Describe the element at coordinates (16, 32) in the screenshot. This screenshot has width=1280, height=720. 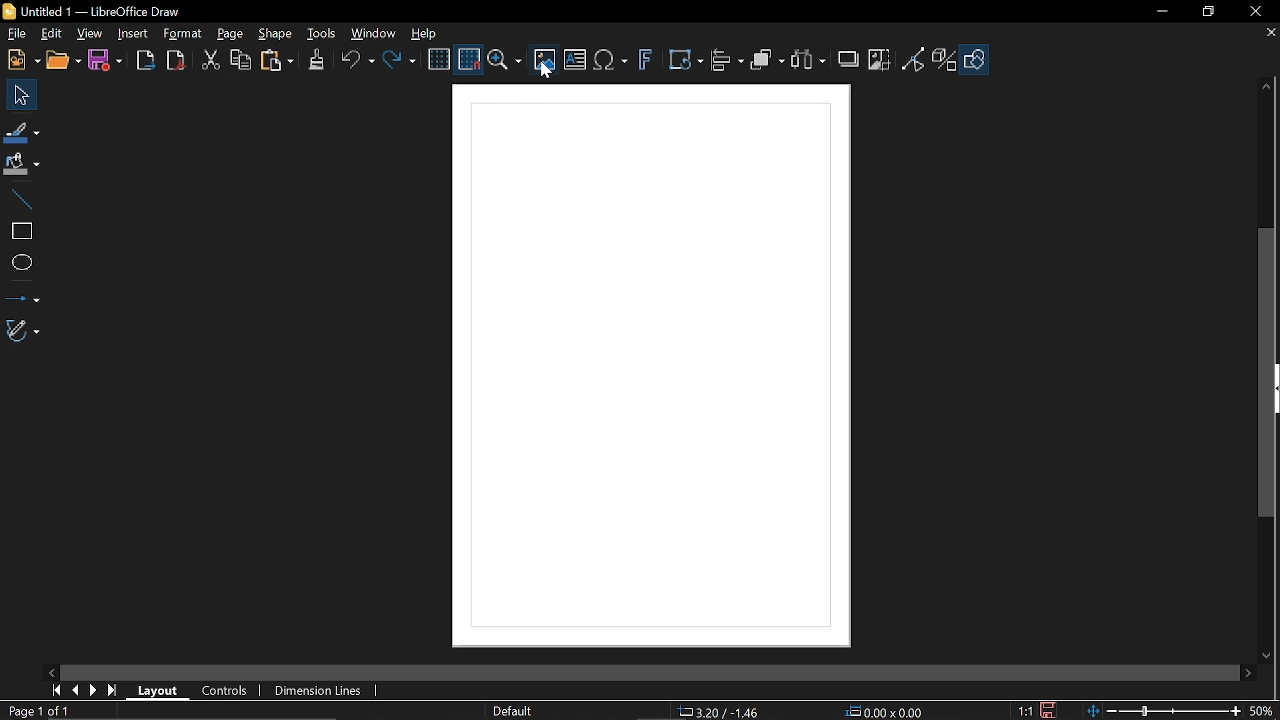
I see `File` at that location.